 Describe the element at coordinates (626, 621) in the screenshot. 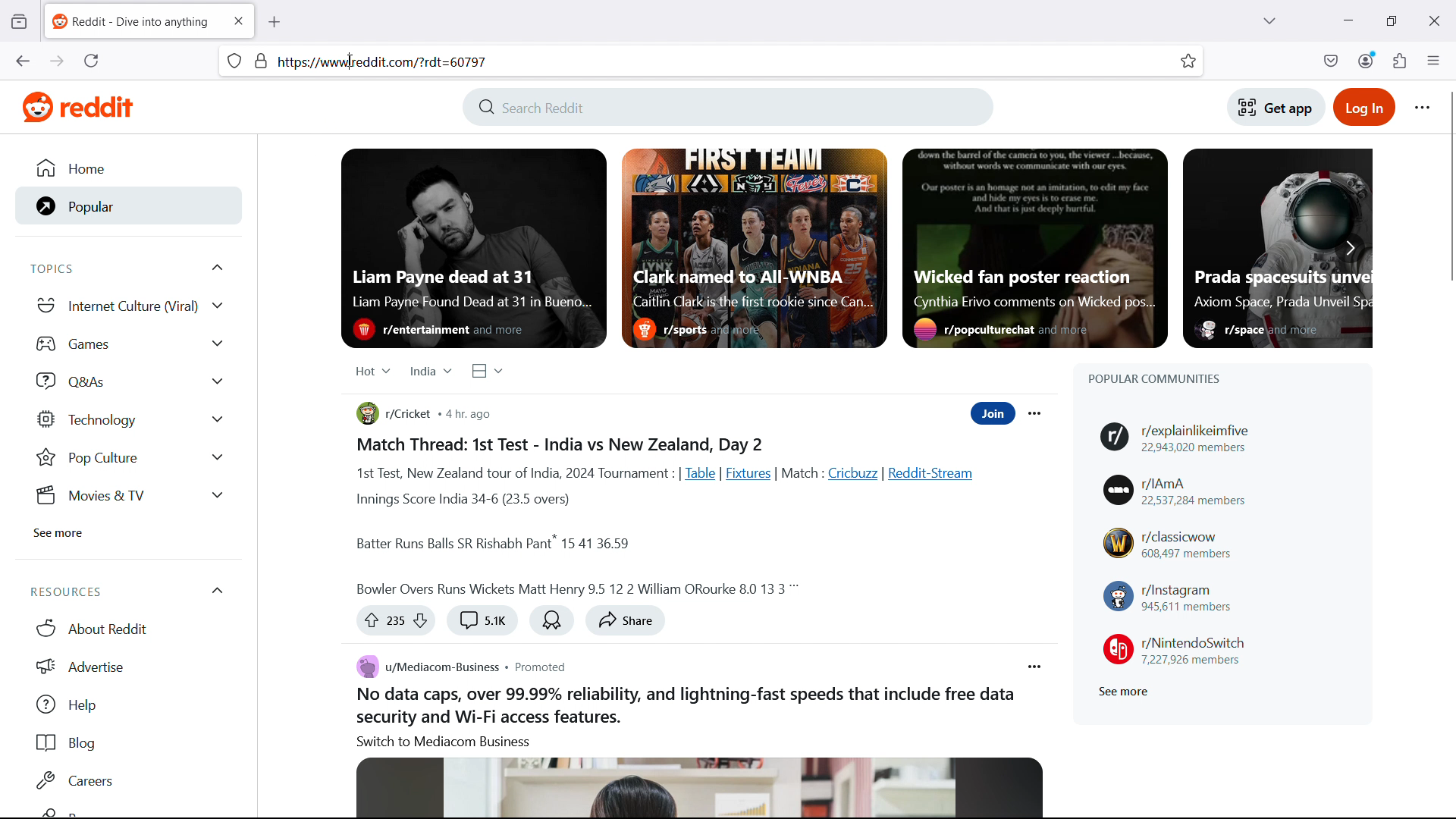

I see `share` at that location.